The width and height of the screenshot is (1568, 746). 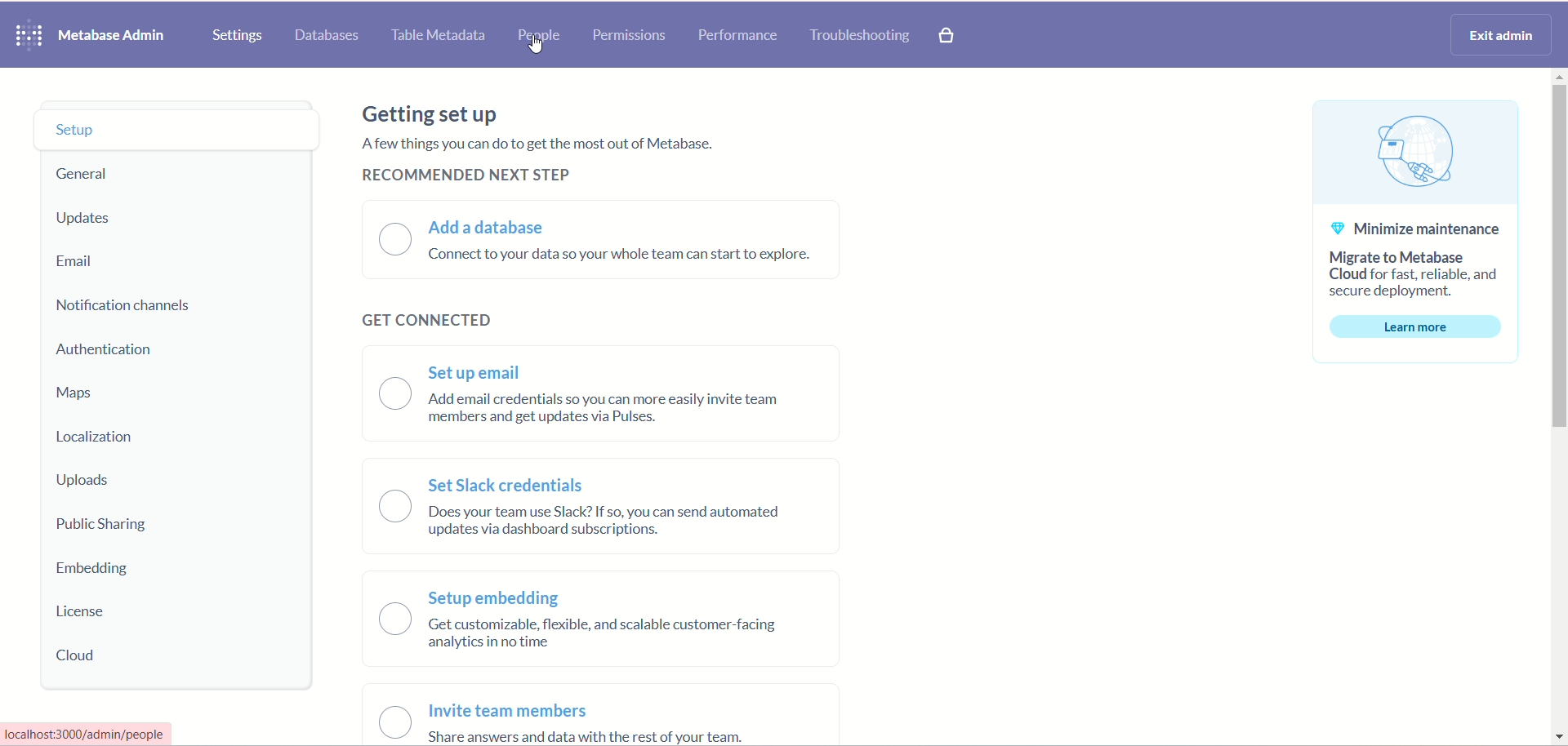 What do you see at coordinates (433, 113) in the screenshot?
I see `getting set up` at bounding box center [433, 113].